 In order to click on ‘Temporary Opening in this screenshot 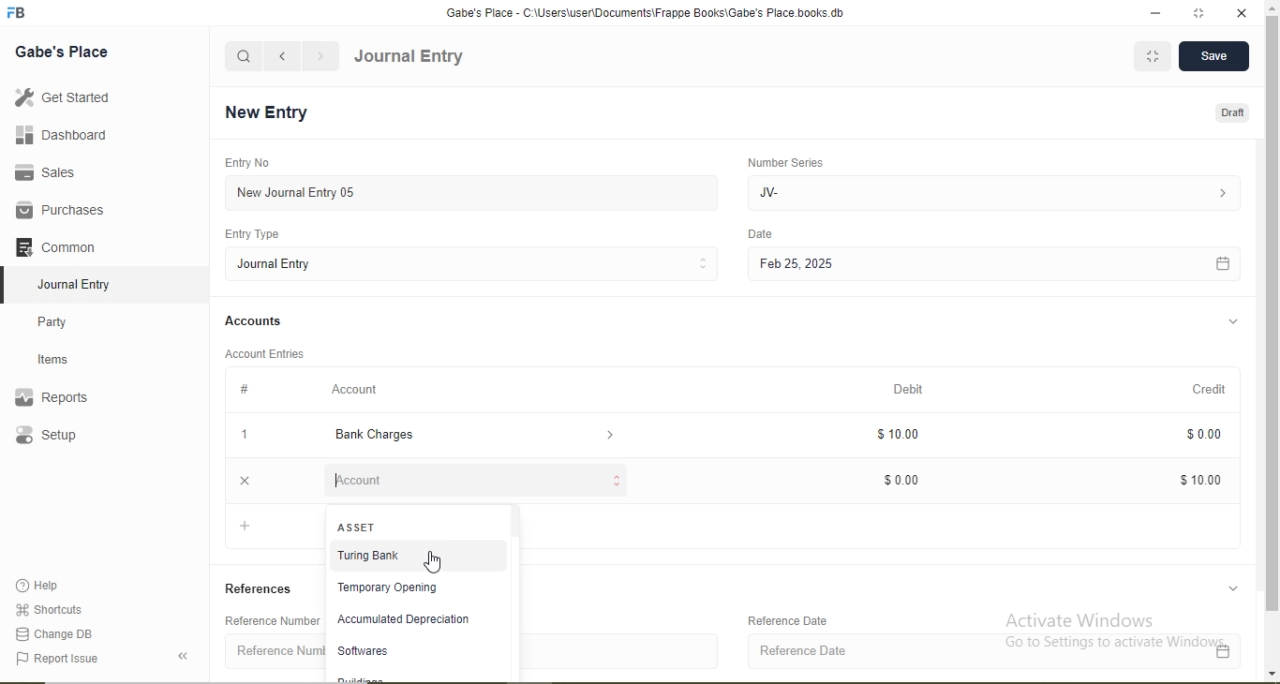, I will do `click(412, 589)`.